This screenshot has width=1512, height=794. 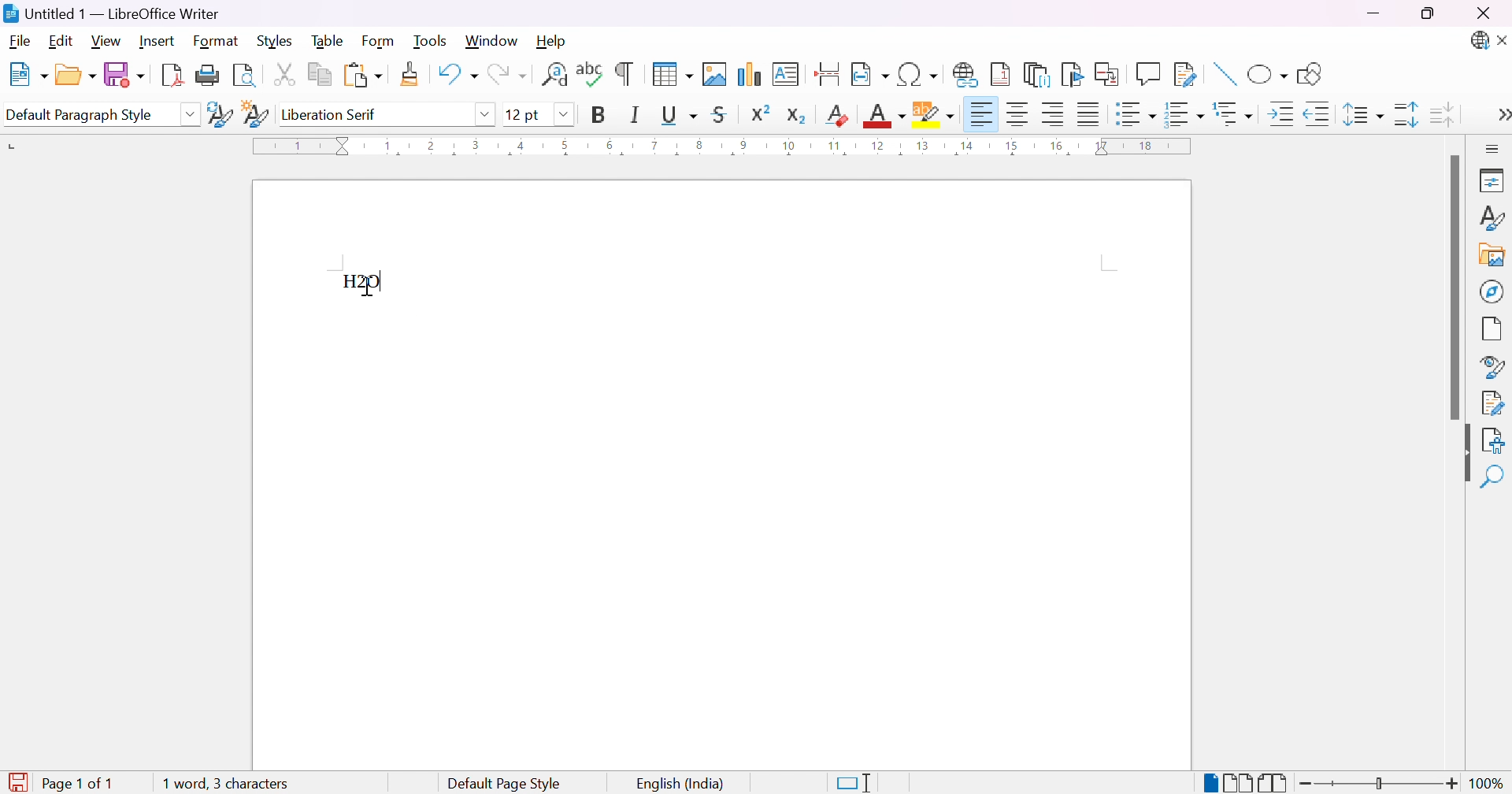 What do you see at coordinates (61, 784) in the screenshot?
I see `Page 1 of 1` at bounding box center [61, 784].